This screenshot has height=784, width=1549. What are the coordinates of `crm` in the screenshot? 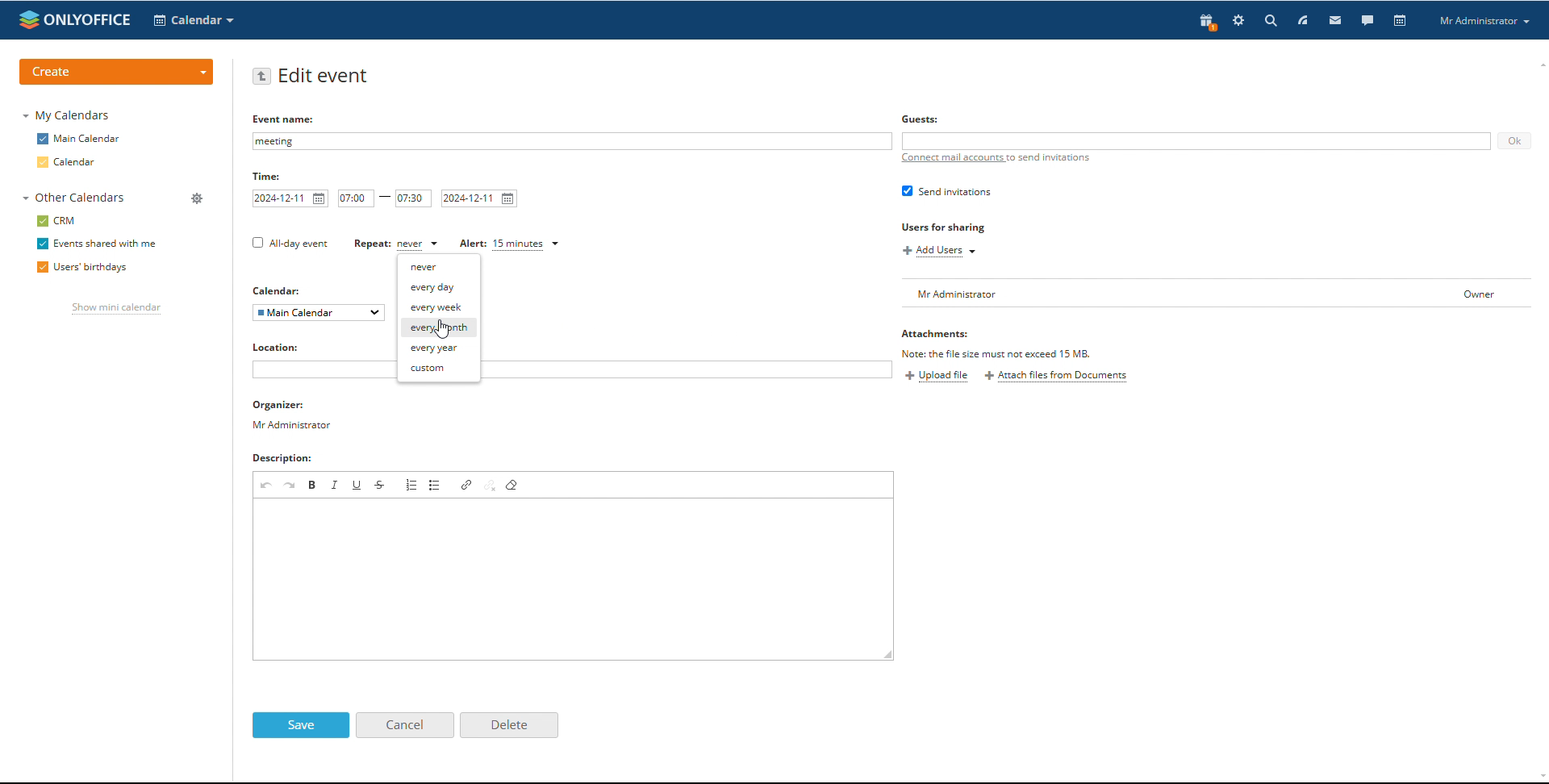 It's located at (56, 221).